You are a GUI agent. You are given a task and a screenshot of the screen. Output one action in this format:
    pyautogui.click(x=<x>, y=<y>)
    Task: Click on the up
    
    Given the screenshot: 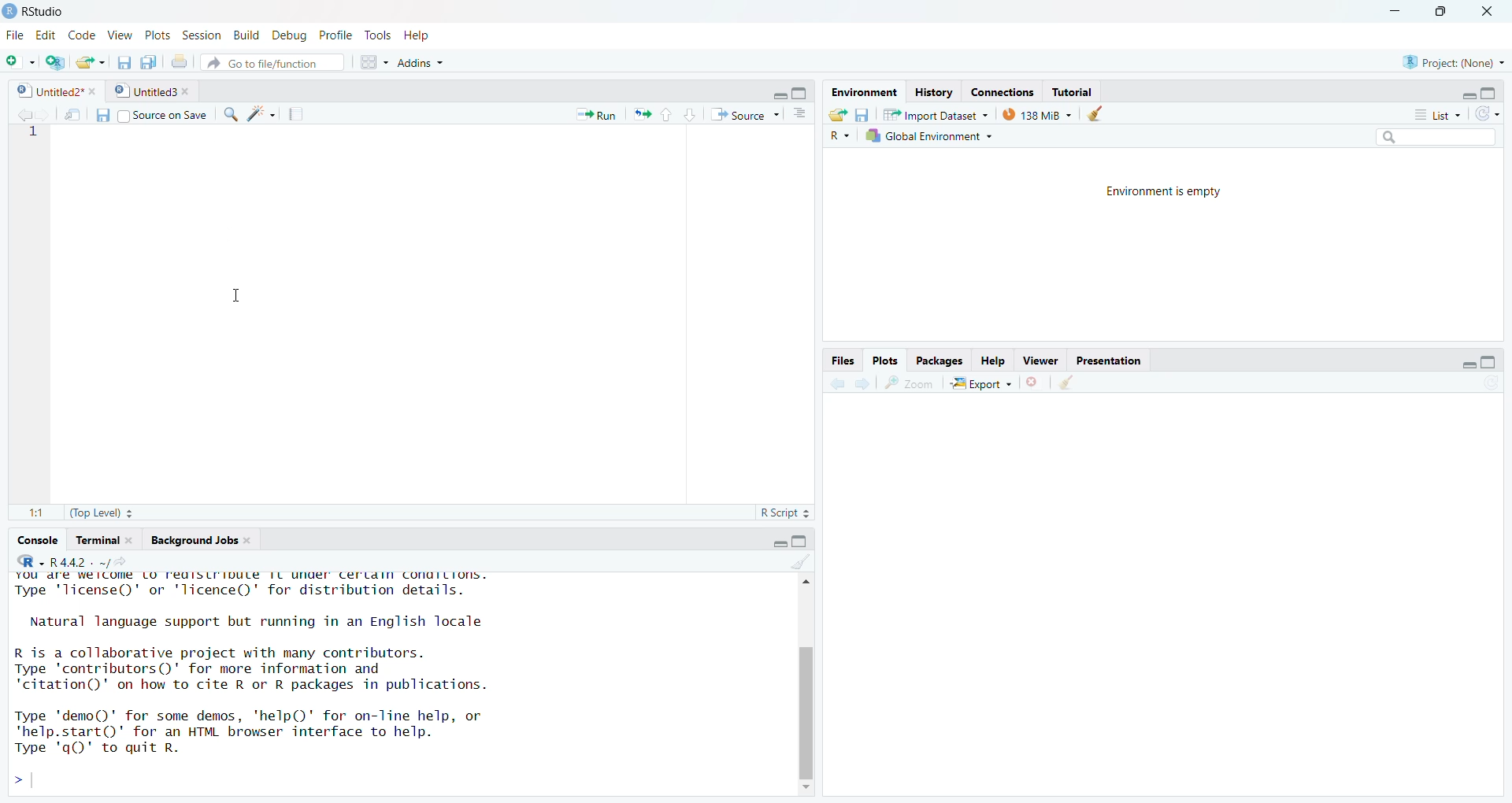 What is the action you would take?
    pyautogui.click(x=669, y=115)
    